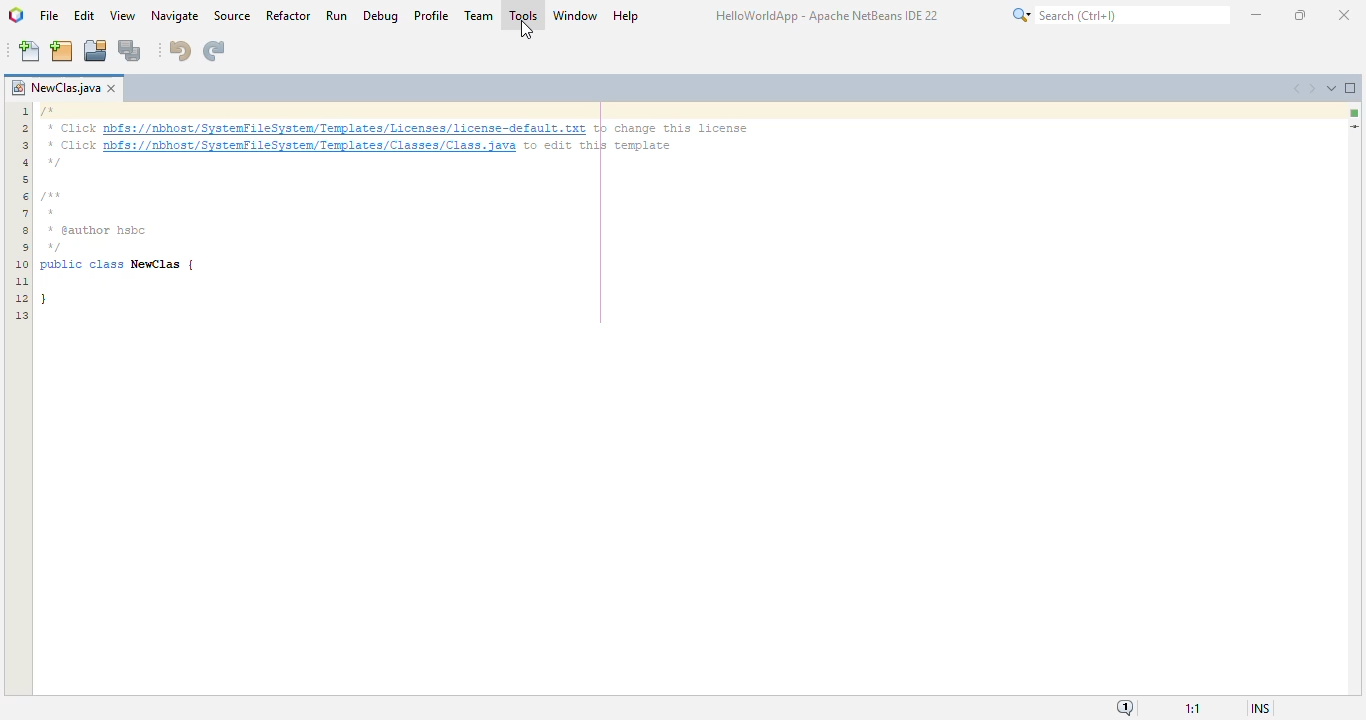 The height and width of the screenshot is (720, 1366). I want to click on new file, so click(29, 51).